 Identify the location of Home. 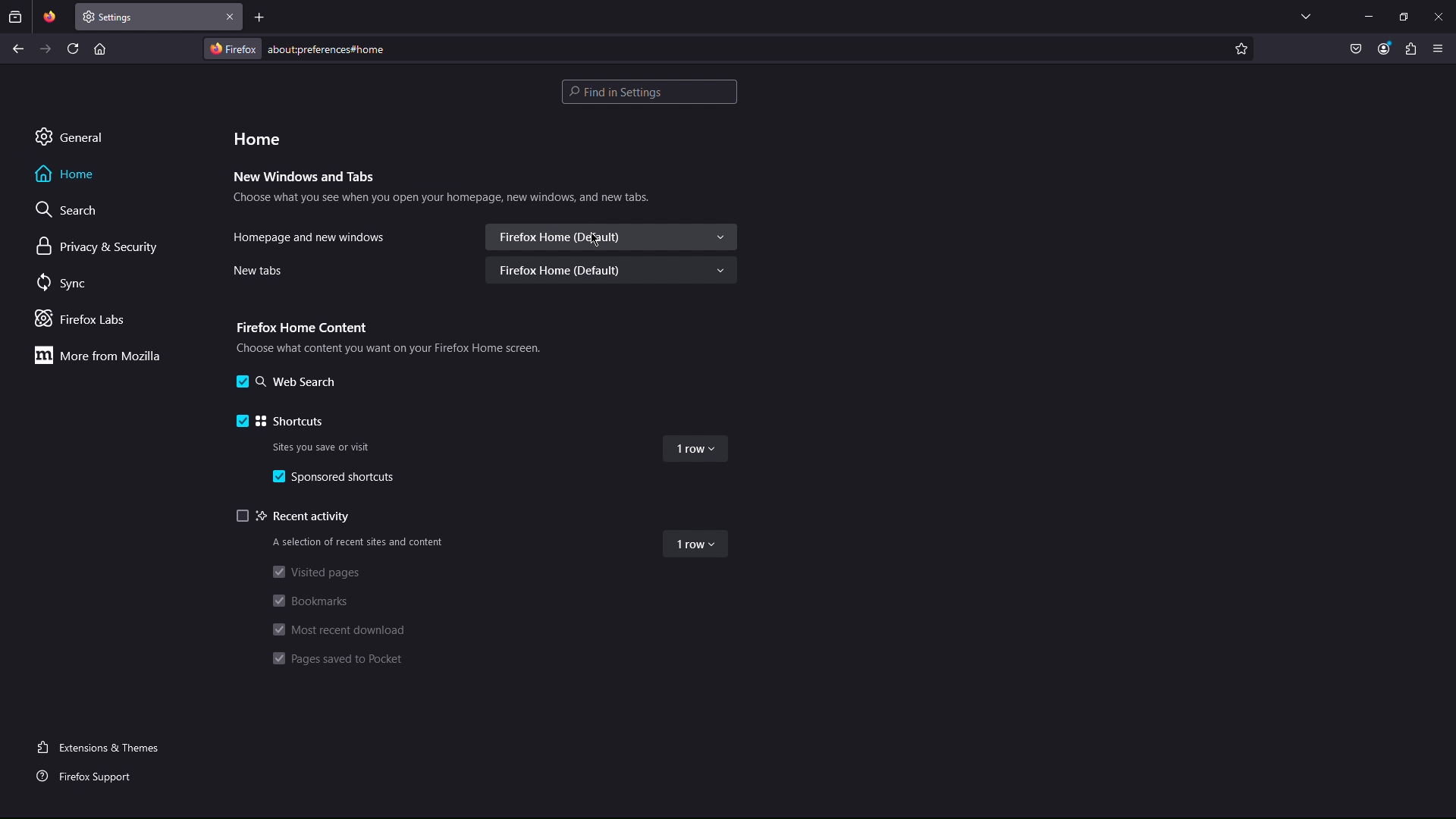
(257, 137).